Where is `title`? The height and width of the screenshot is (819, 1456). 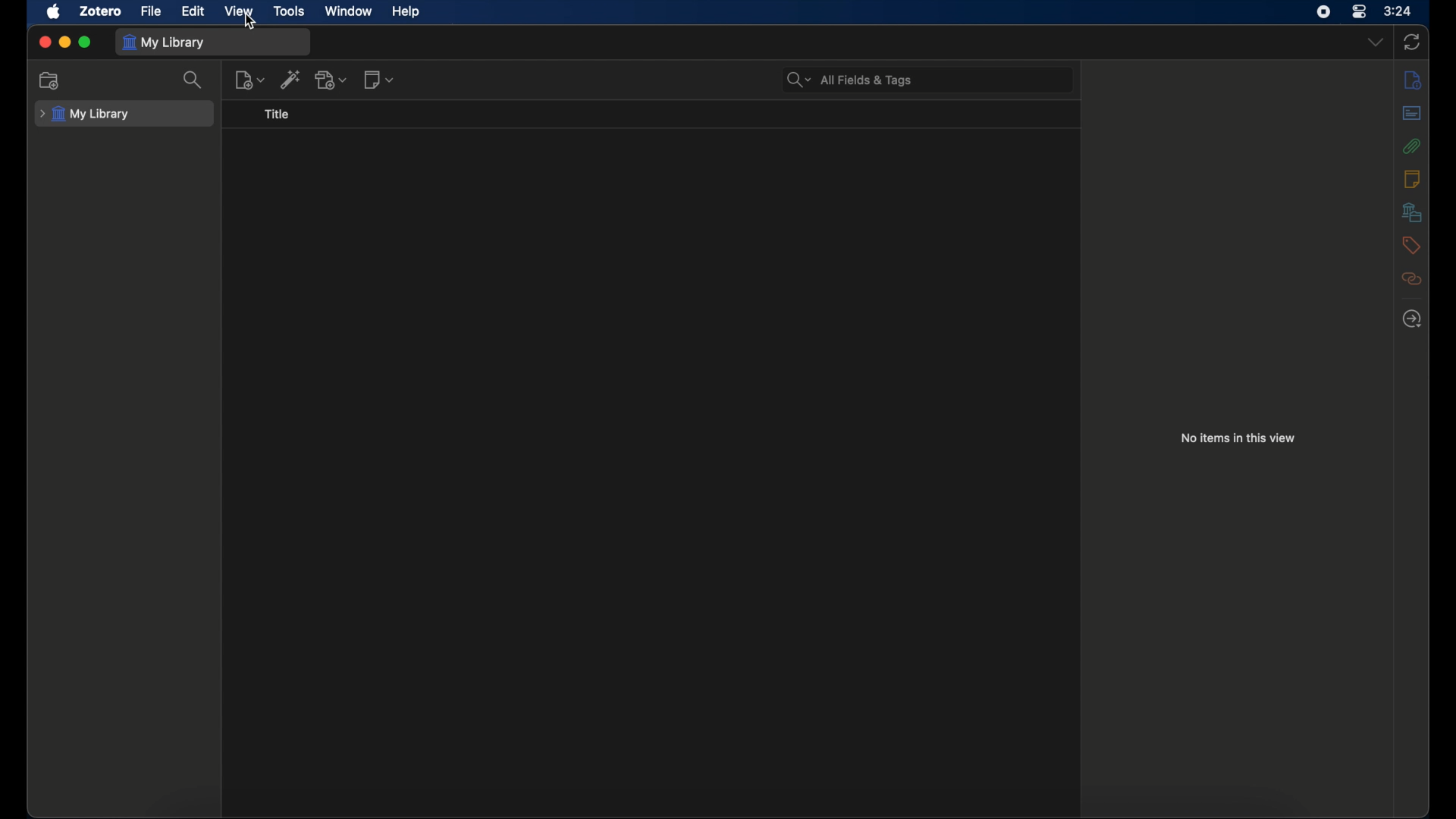
title is located at coordinates (278, 115).